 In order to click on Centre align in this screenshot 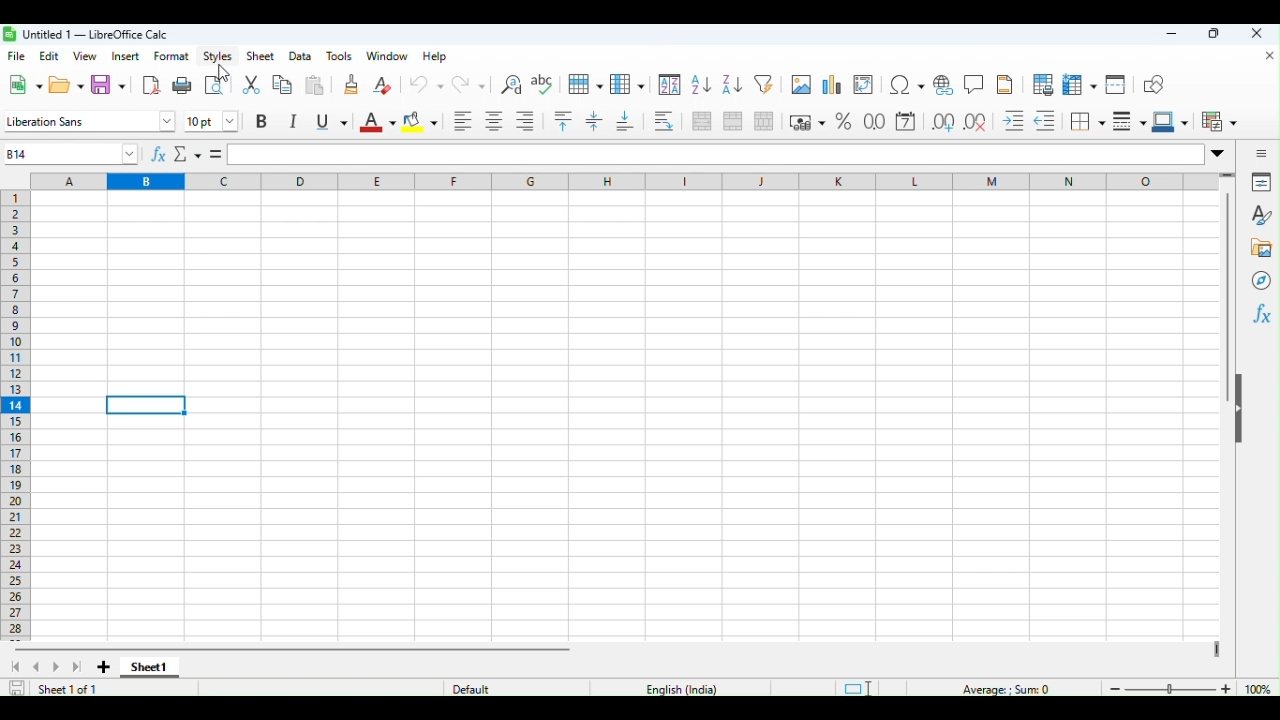, I will do `click(491, 122)`.